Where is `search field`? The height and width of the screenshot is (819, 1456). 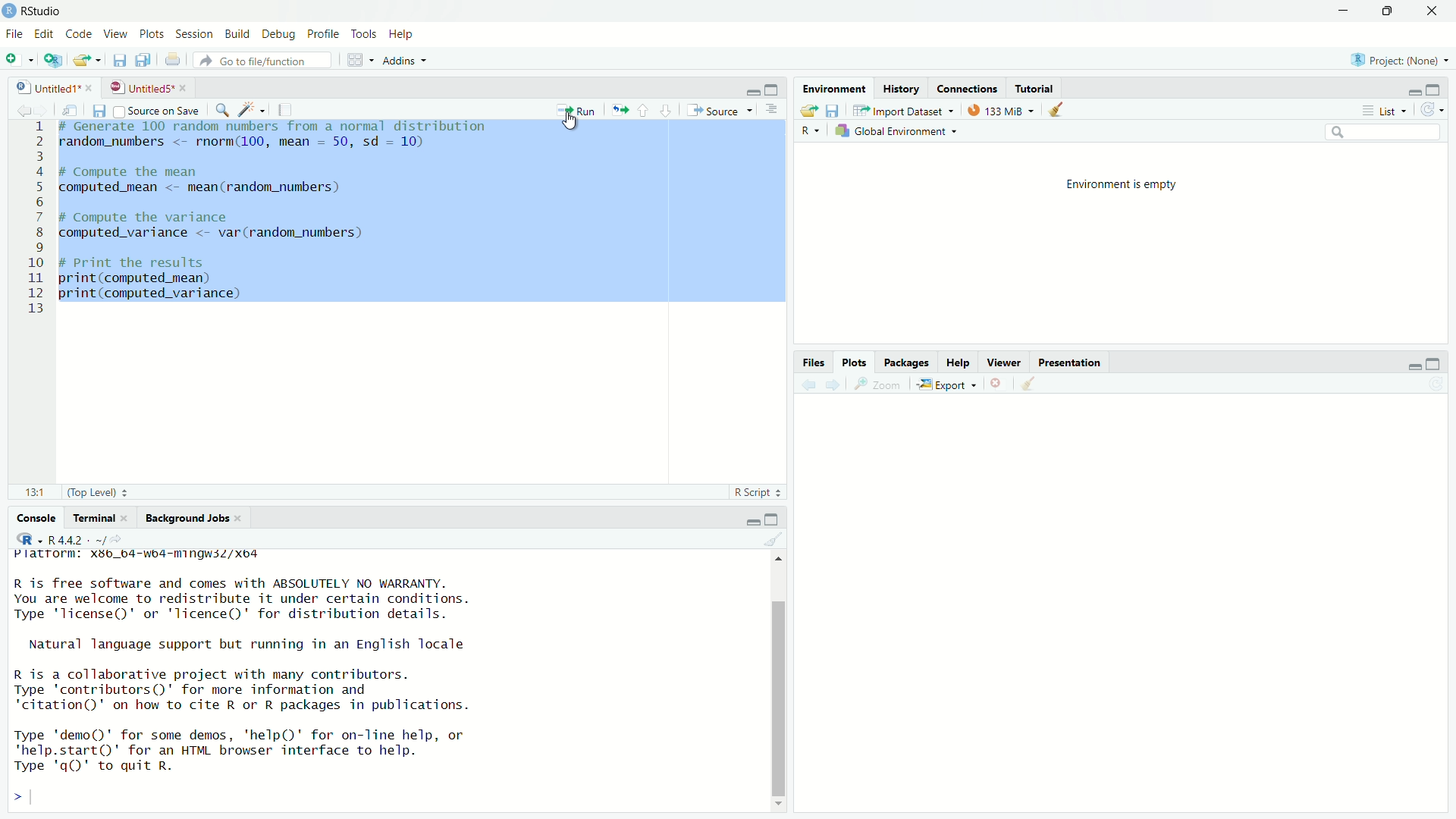 search field is located at coordinates (1383, 133).